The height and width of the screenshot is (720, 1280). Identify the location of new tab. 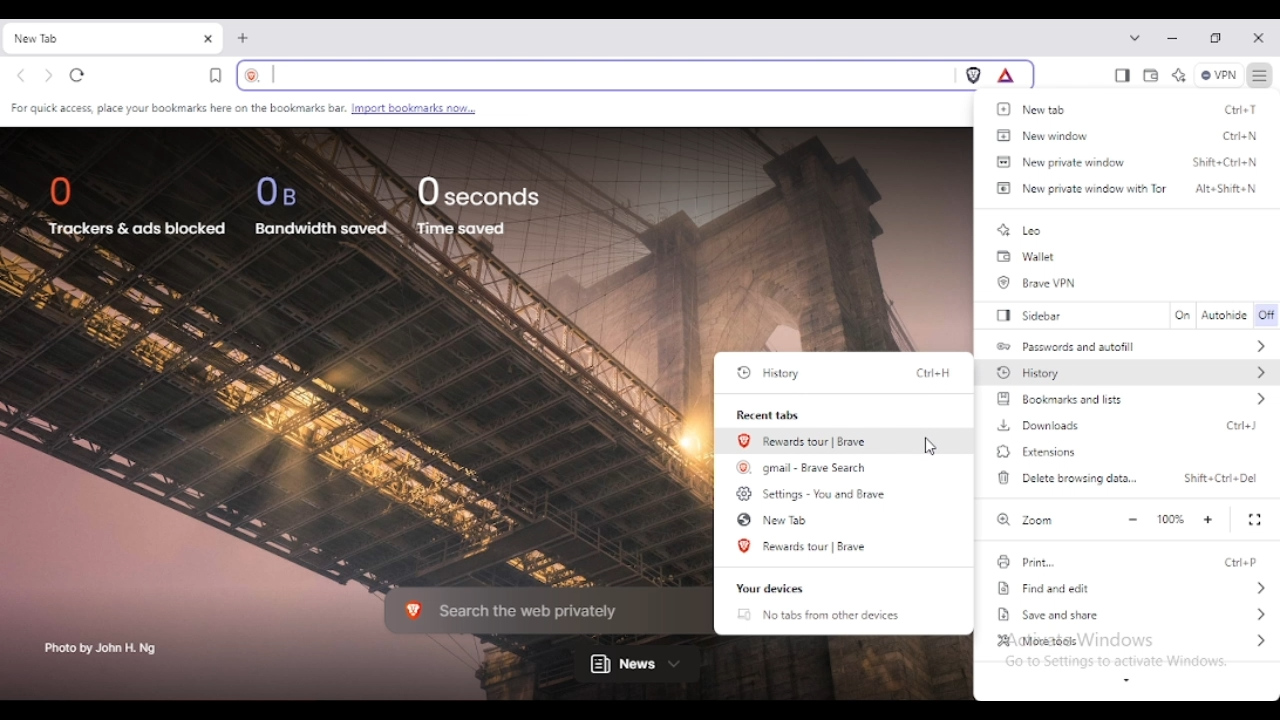
(773, 519).